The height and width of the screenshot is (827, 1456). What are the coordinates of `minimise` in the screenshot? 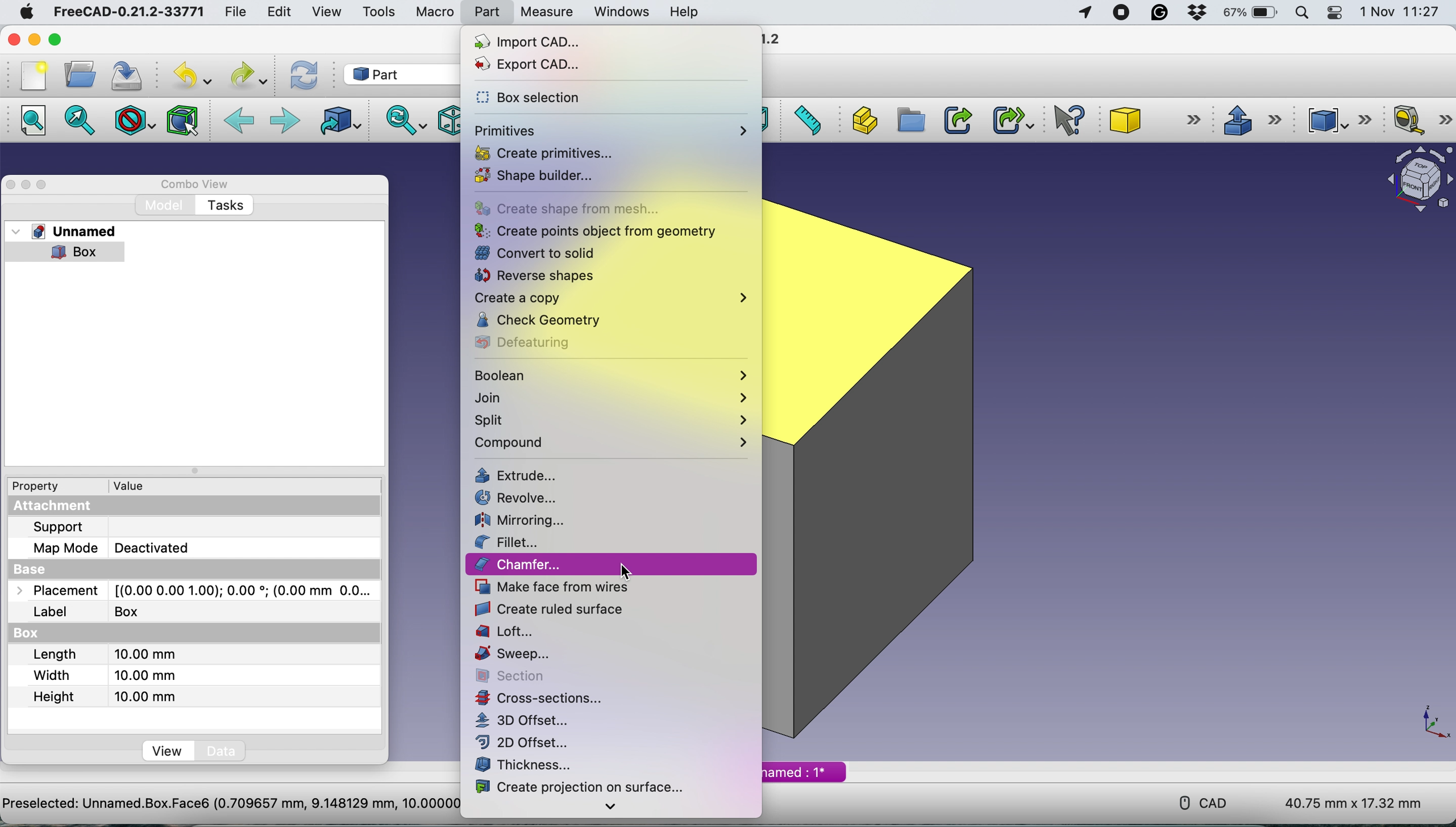 It's located at (35, 40).